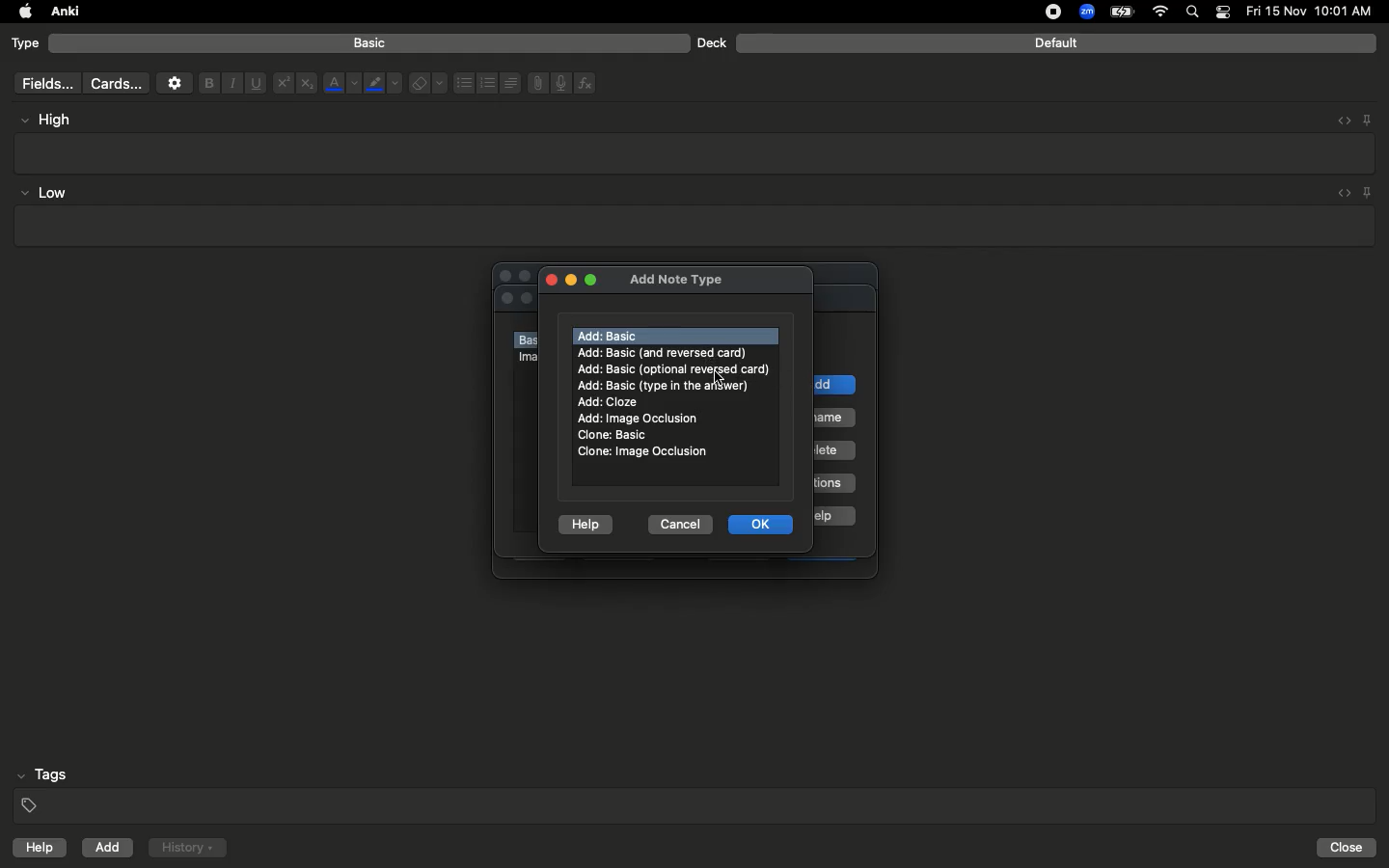  I want to click on Clone image occlusion, so click(643, 451).